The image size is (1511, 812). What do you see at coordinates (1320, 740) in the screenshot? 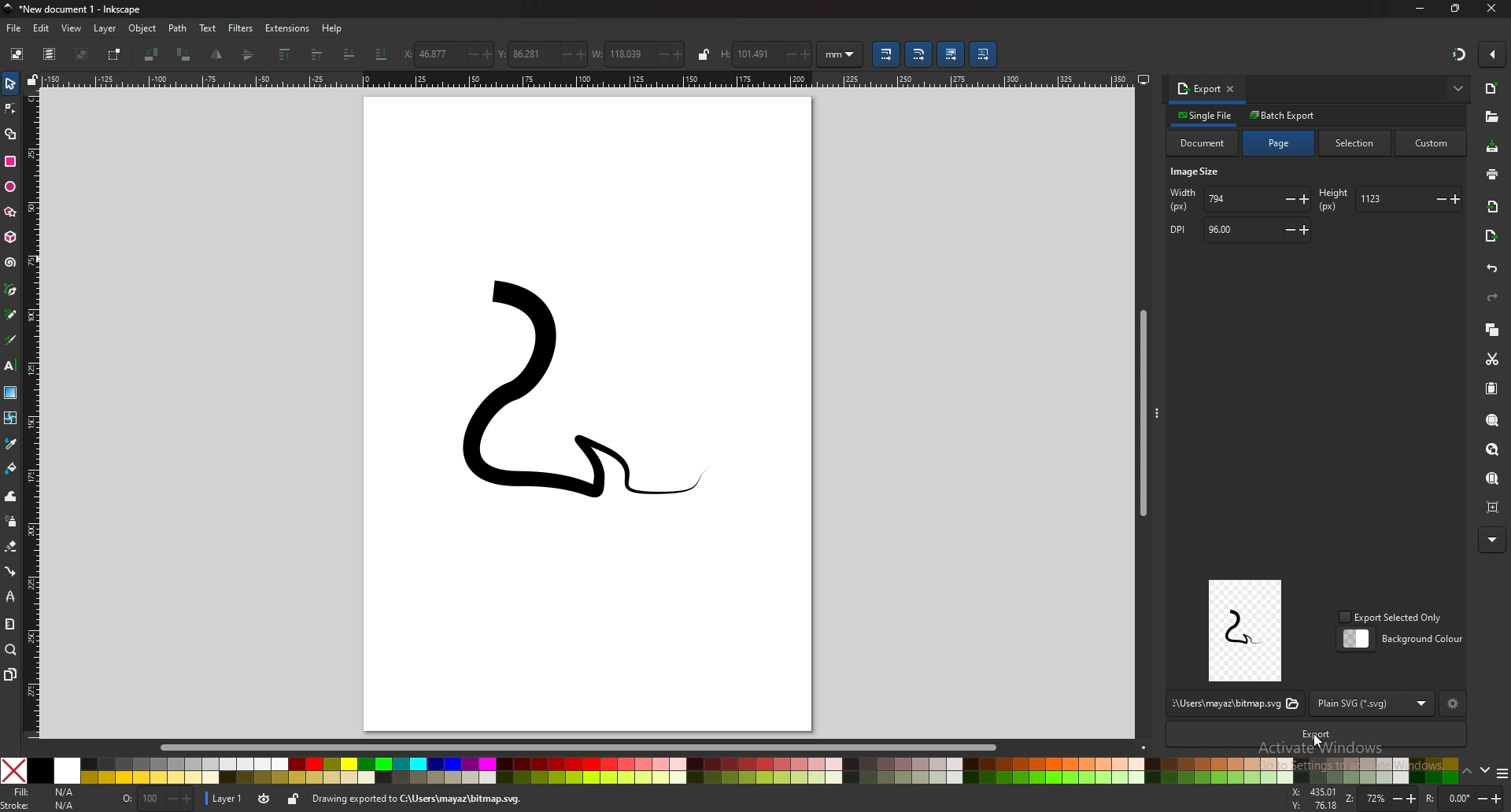
I see `cursor` at bounding box center [1320, 740].